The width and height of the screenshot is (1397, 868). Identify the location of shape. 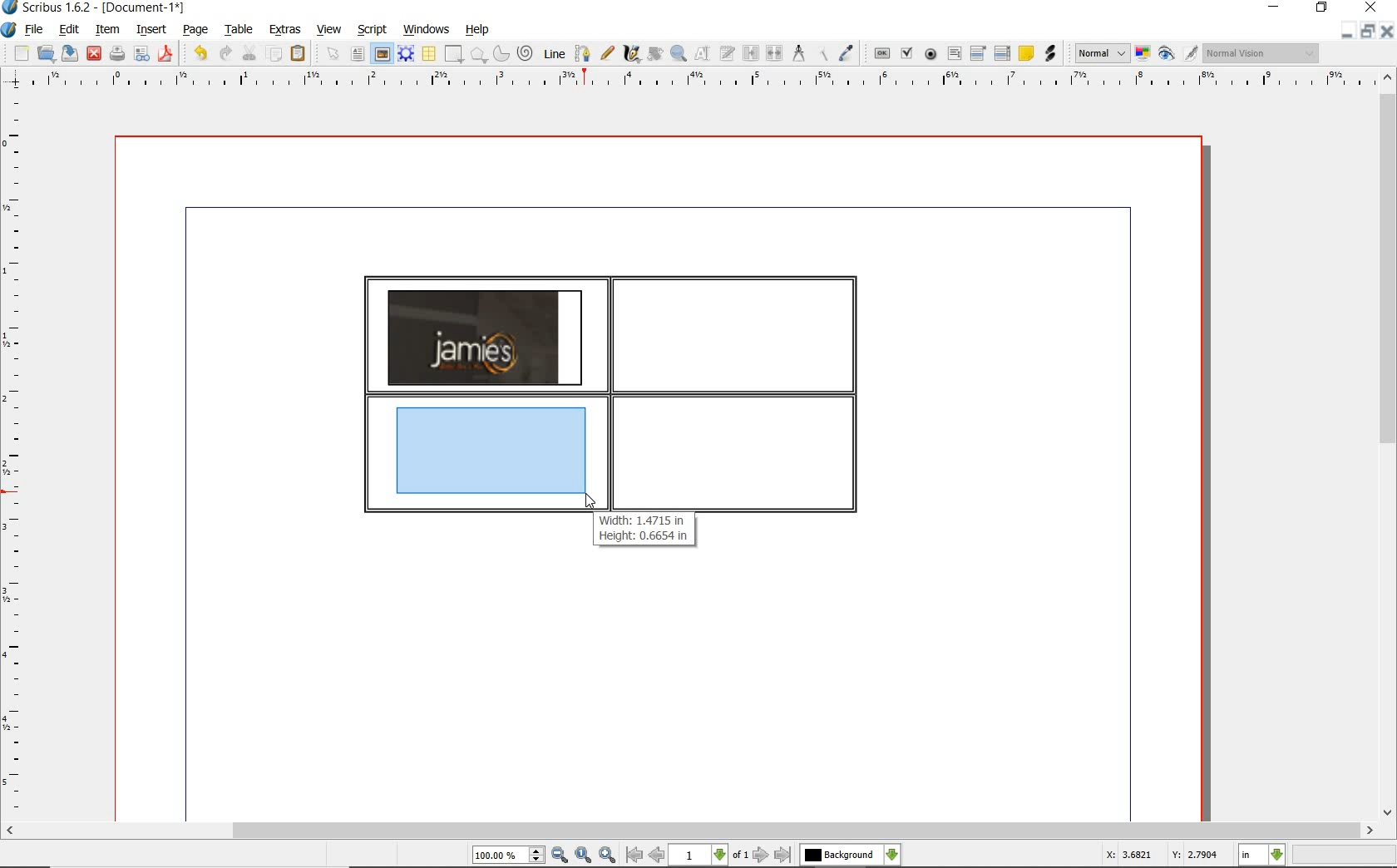
(452, 55).